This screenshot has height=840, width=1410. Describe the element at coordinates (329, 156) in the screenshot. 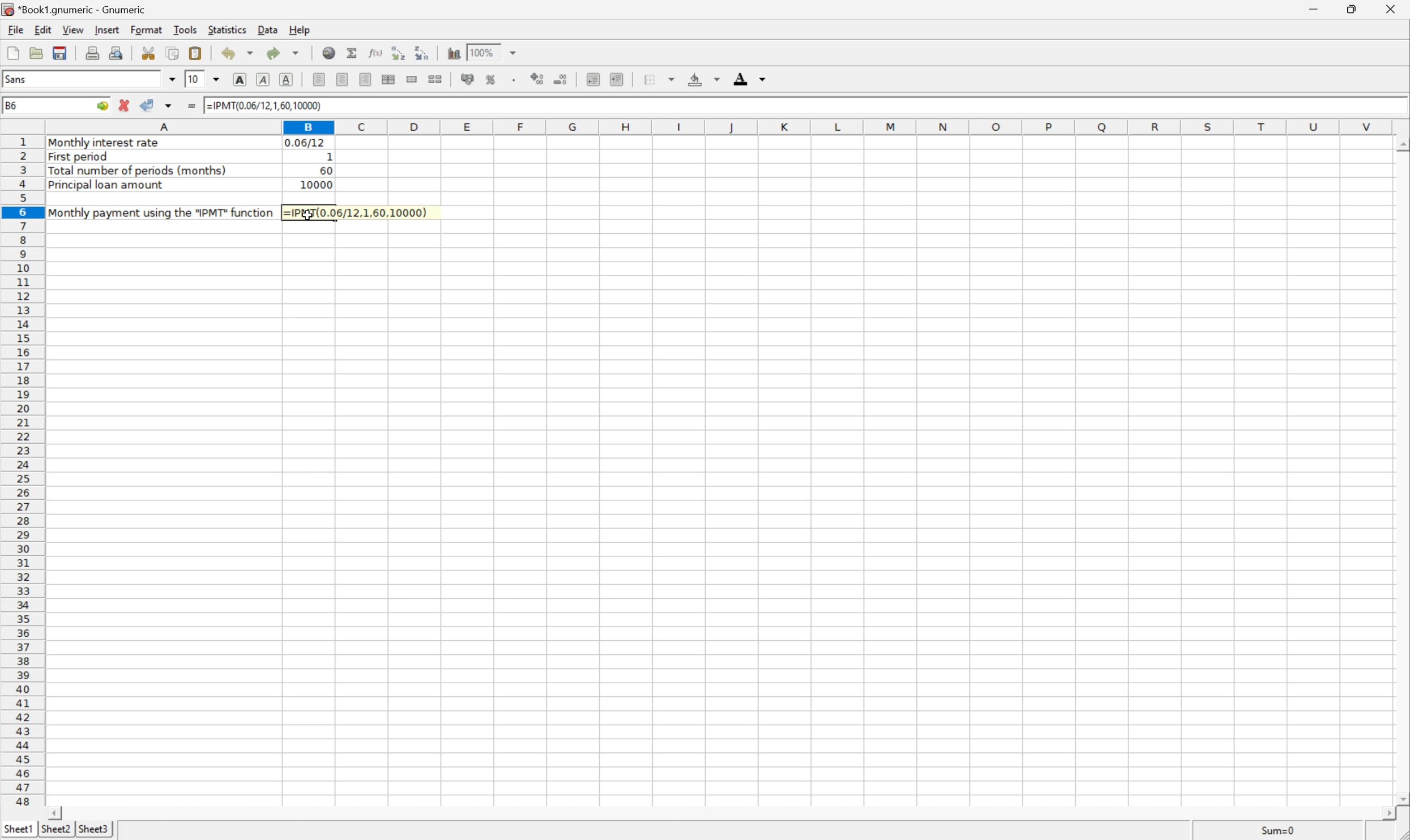

I see `1` at that location.